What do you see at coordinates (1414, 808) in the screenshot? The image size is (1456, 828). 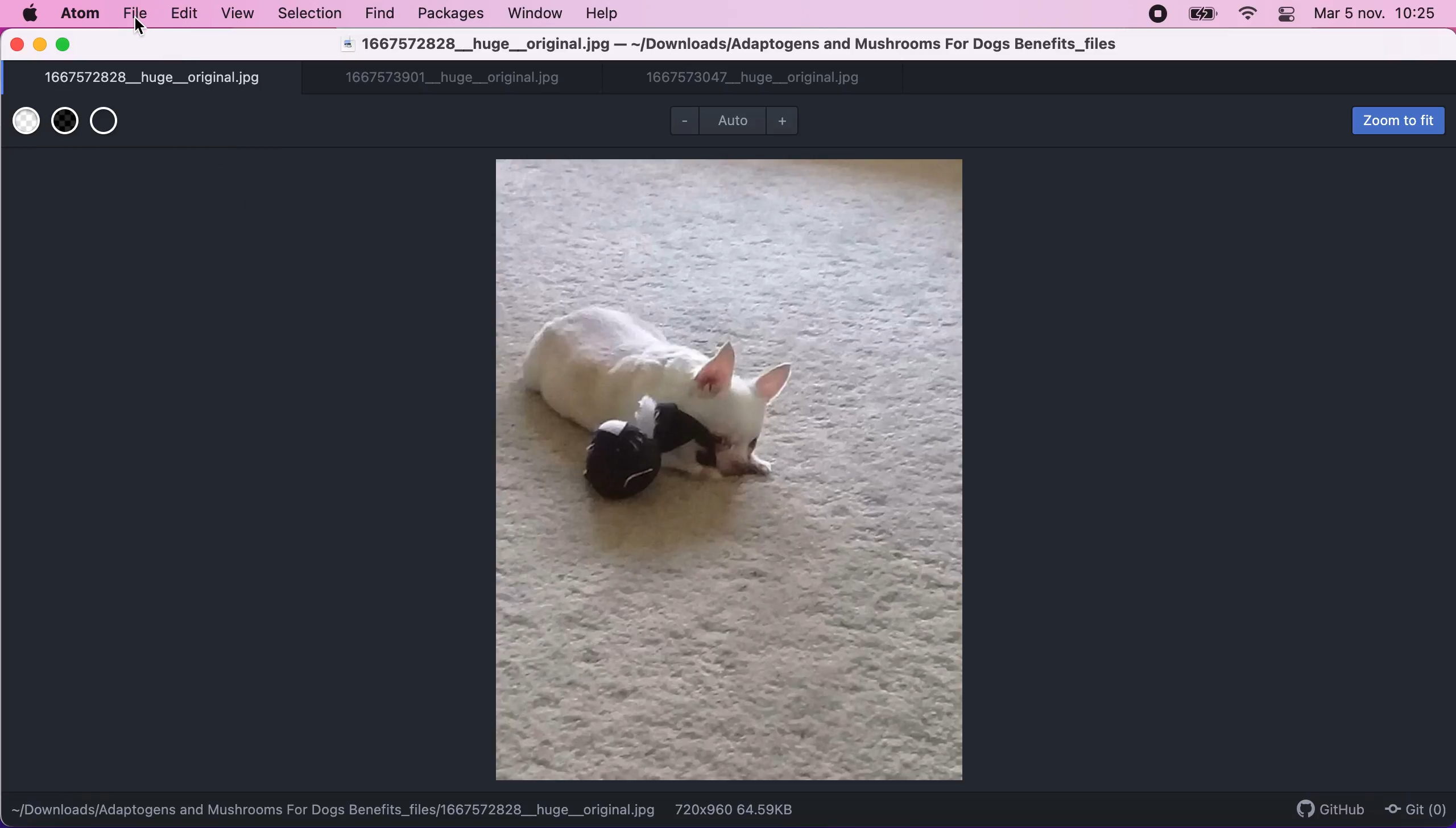 I see `Git (0)` at bounding box center [1414, 808].